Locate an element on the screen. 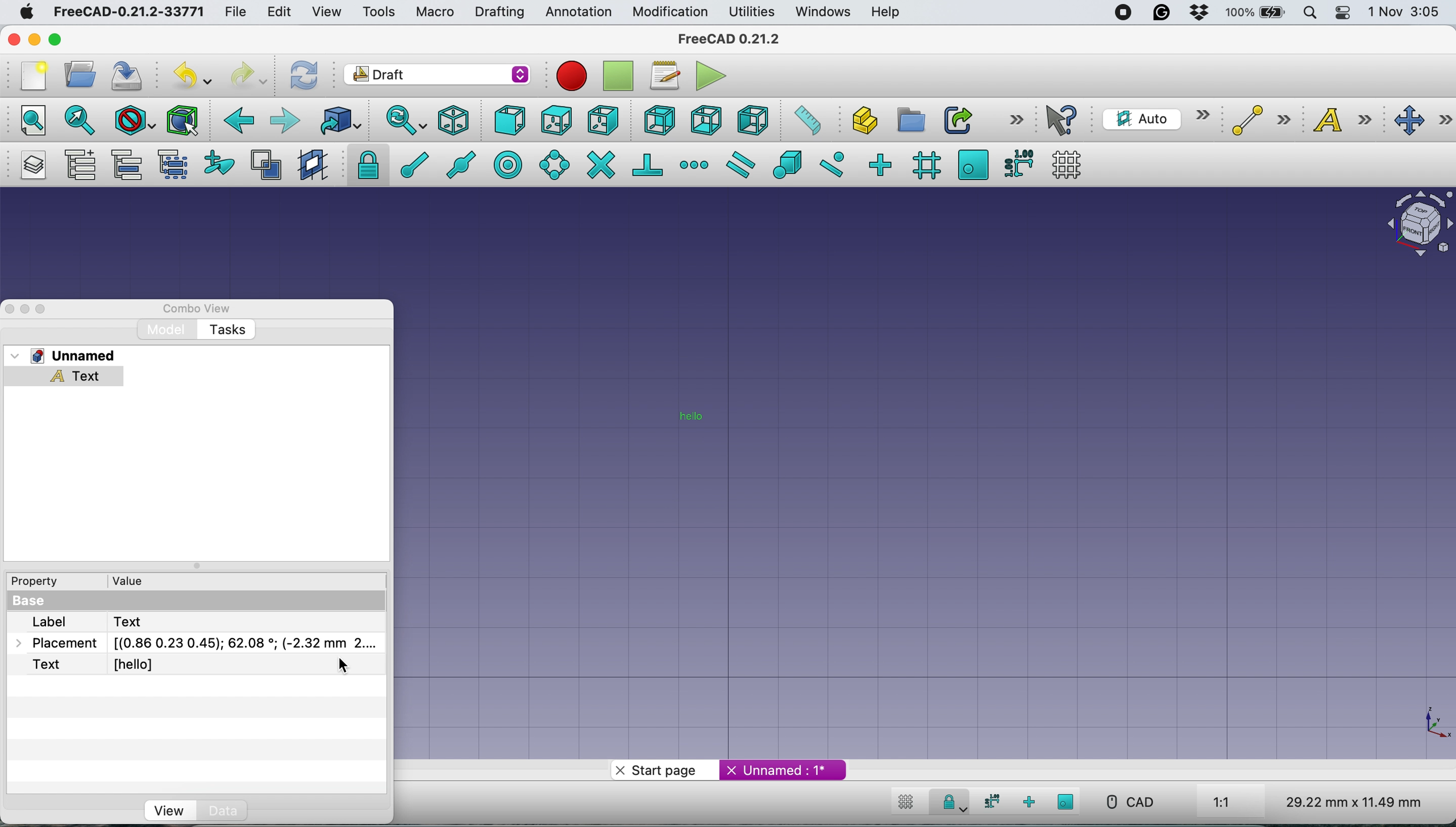 The image size is (1456, 827). object interface is located at coordinates (1415, 222).